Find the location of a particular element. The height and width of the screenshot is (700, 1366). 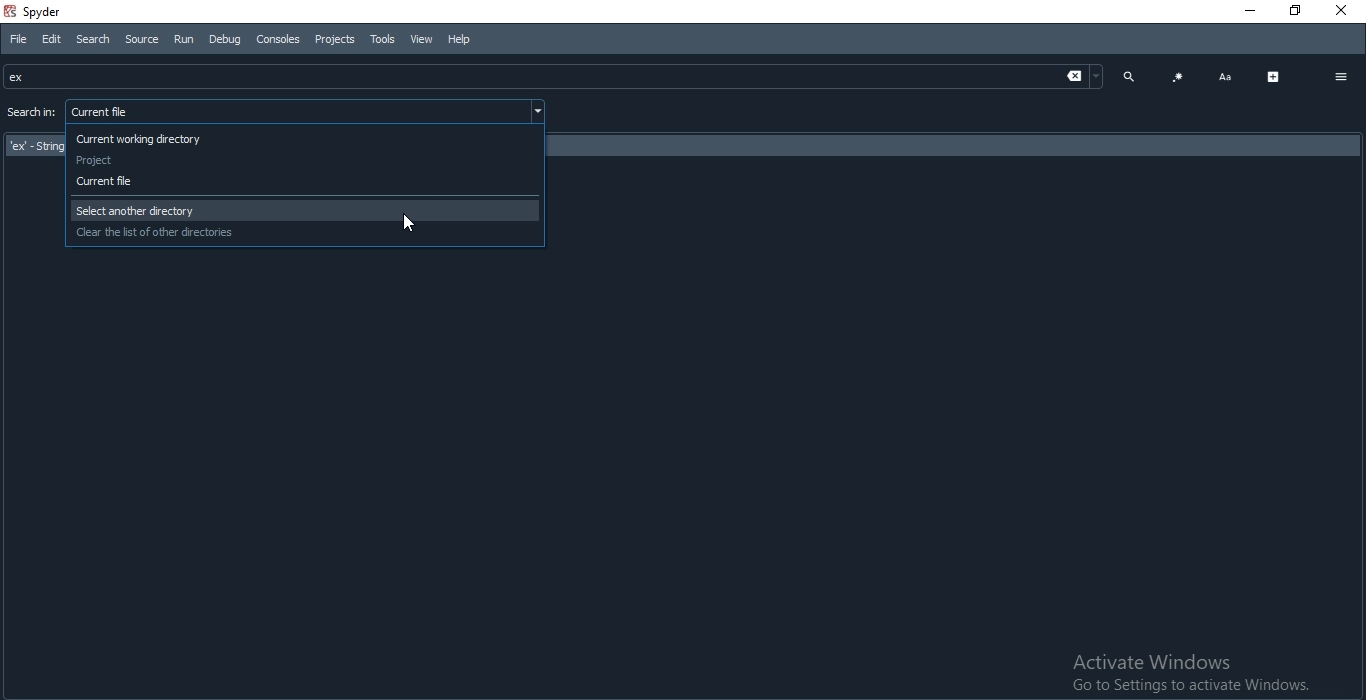

search is located at coordinates (1129, 75).